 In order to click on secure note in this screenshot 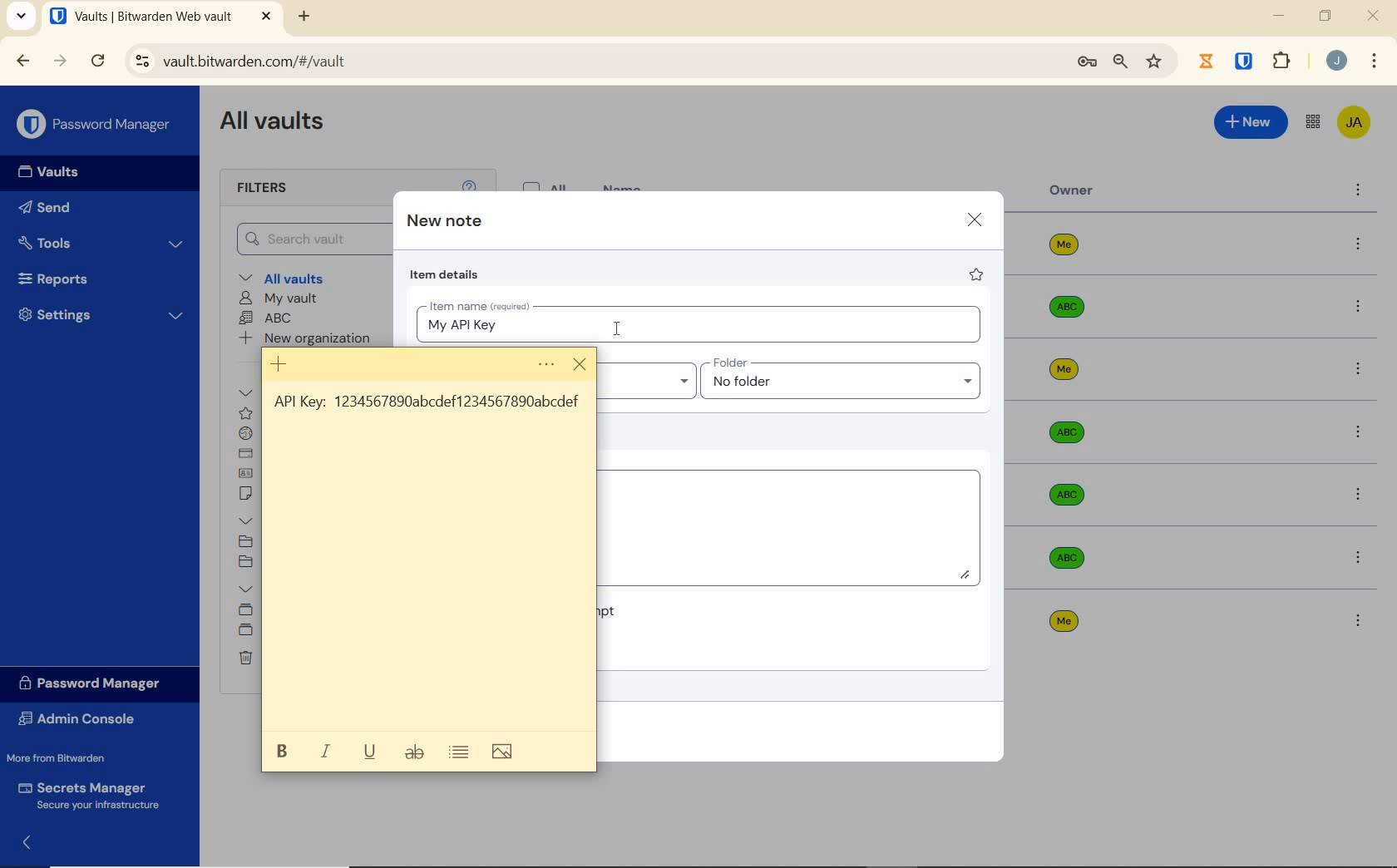, I will do `click(250, 496)`.